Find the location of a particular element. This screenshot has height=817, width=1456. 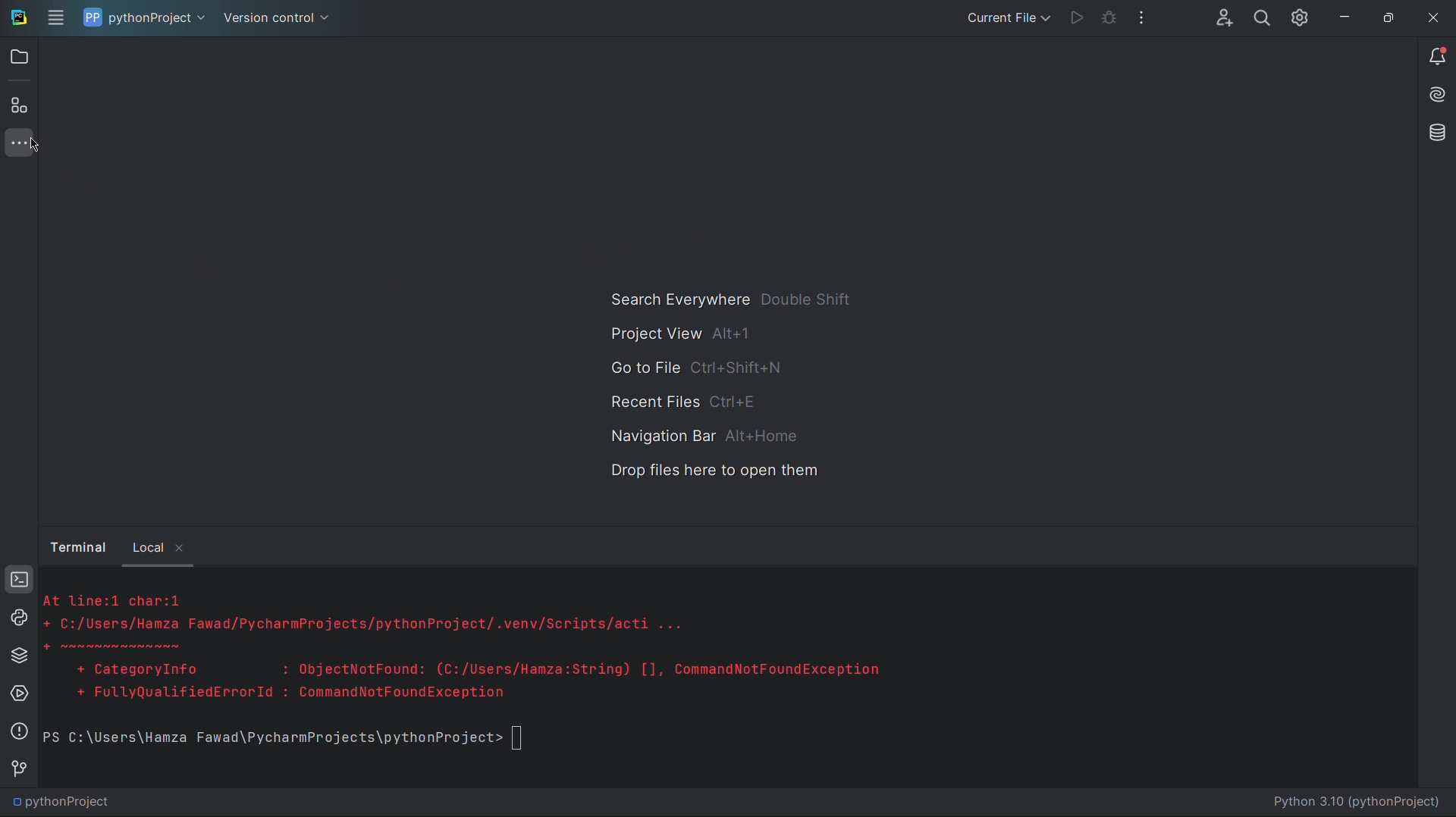

\At line:1 char:1+ C:/Users/Hamza Fawad/PycharmProjects/pythonProject/.venv/Scripts/acti ...SEER+ CategoryInfo : ObjectNotFound: (C:/Users/Hamza:String) [], CommandNotFoundException+ FullyQualifiedErrorId : CommandNotFoundException  is located at coordinates (485, 650).